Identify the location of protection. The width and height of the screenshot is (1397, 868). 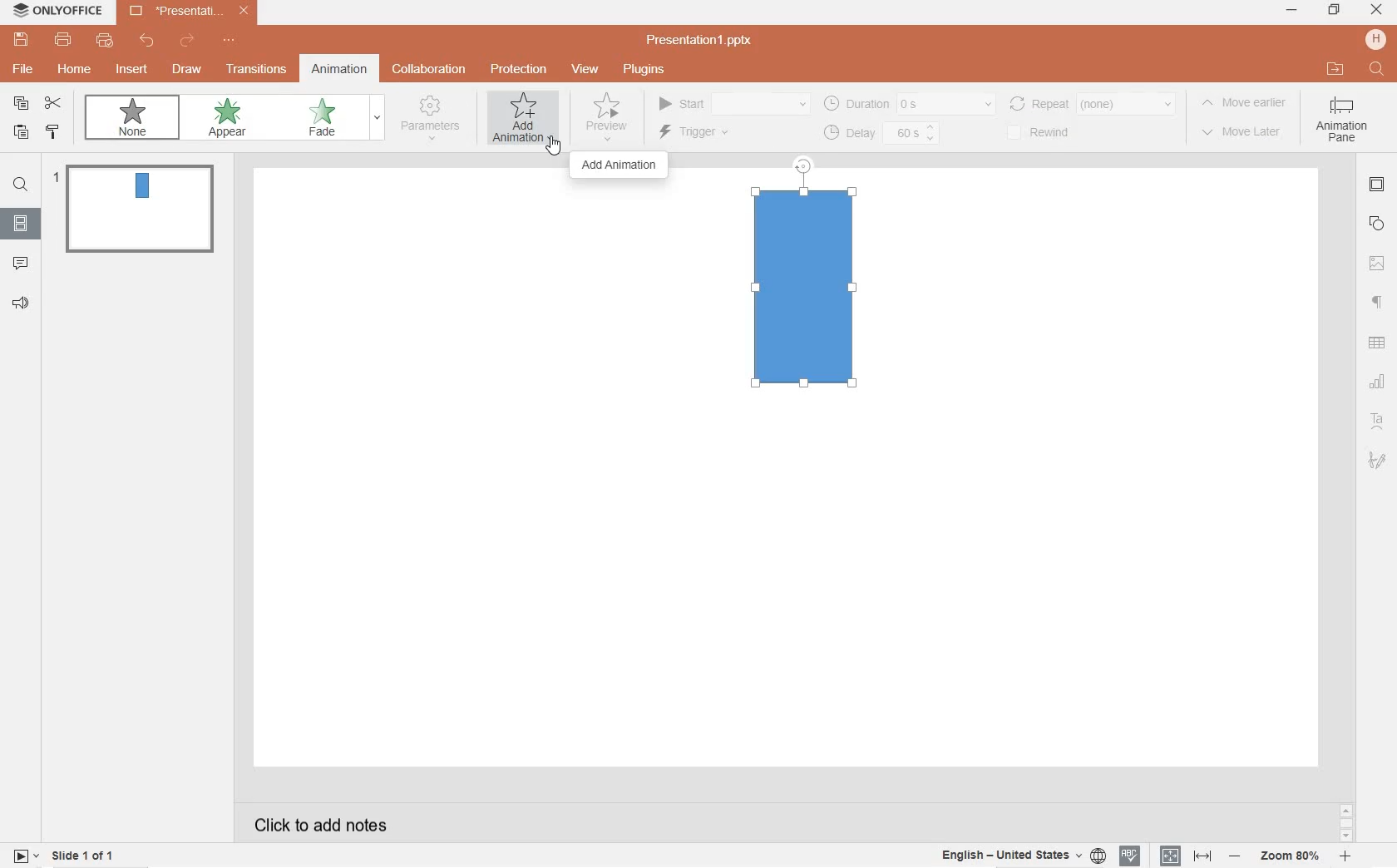
(518, 71).